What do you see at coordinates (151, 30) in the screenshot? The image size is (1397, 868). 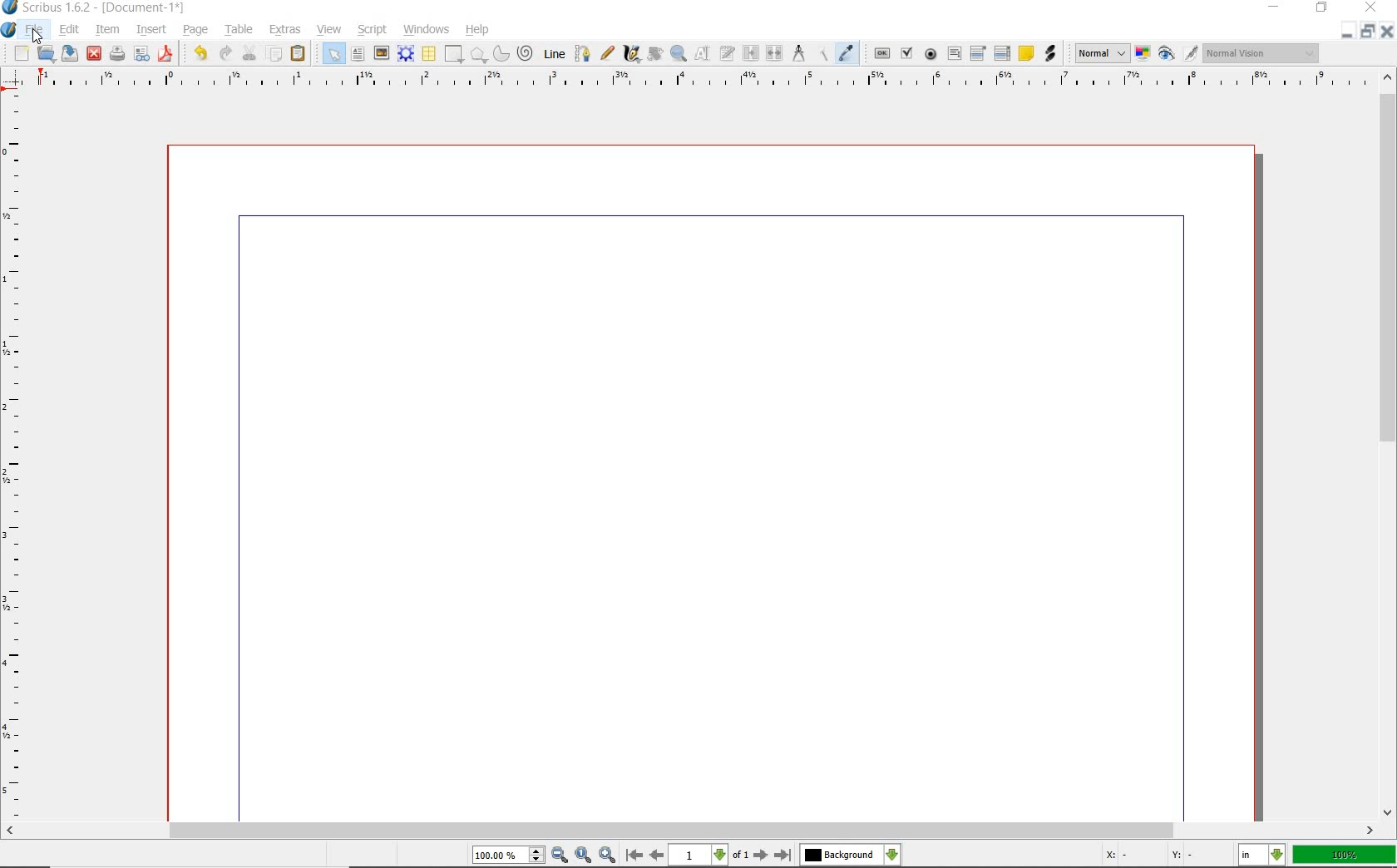 I see `insert` at bounding box center [151, 30].